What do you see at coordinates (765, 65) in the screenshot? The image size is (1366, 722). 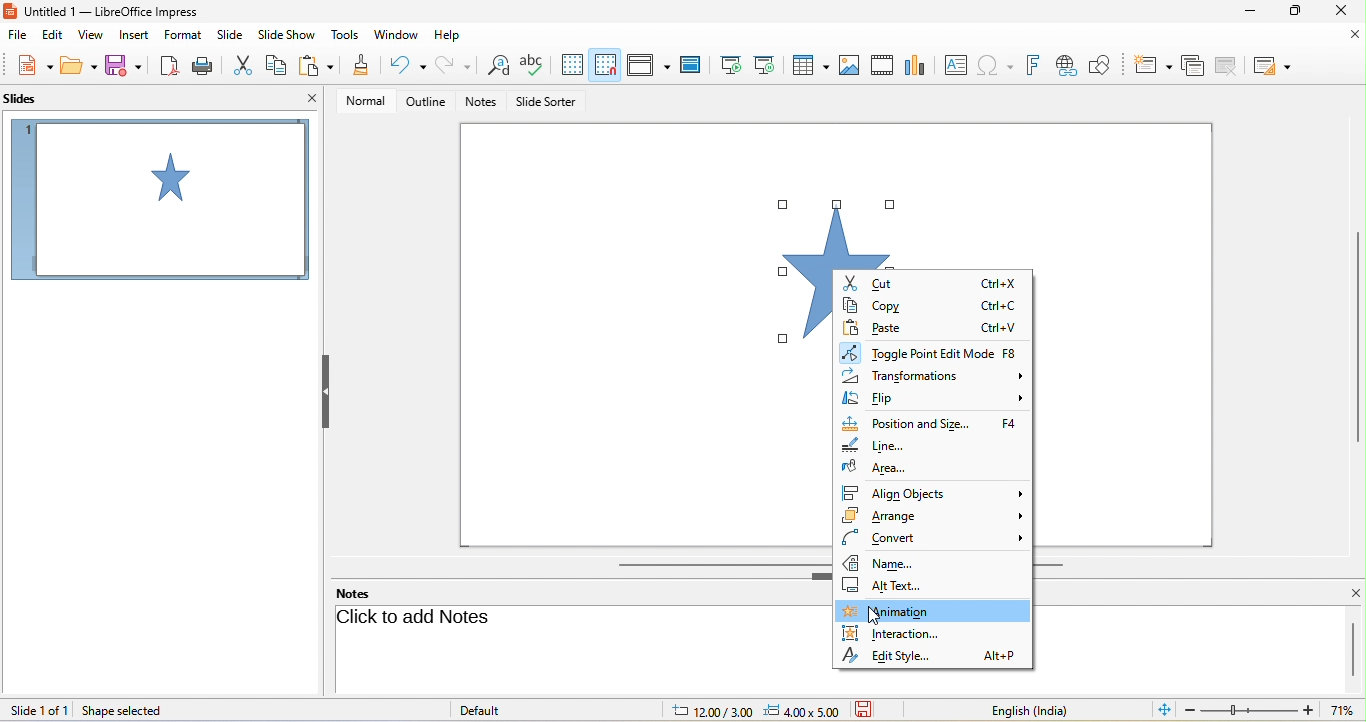 I see `start from current slide` at bounding box center [765, 65].